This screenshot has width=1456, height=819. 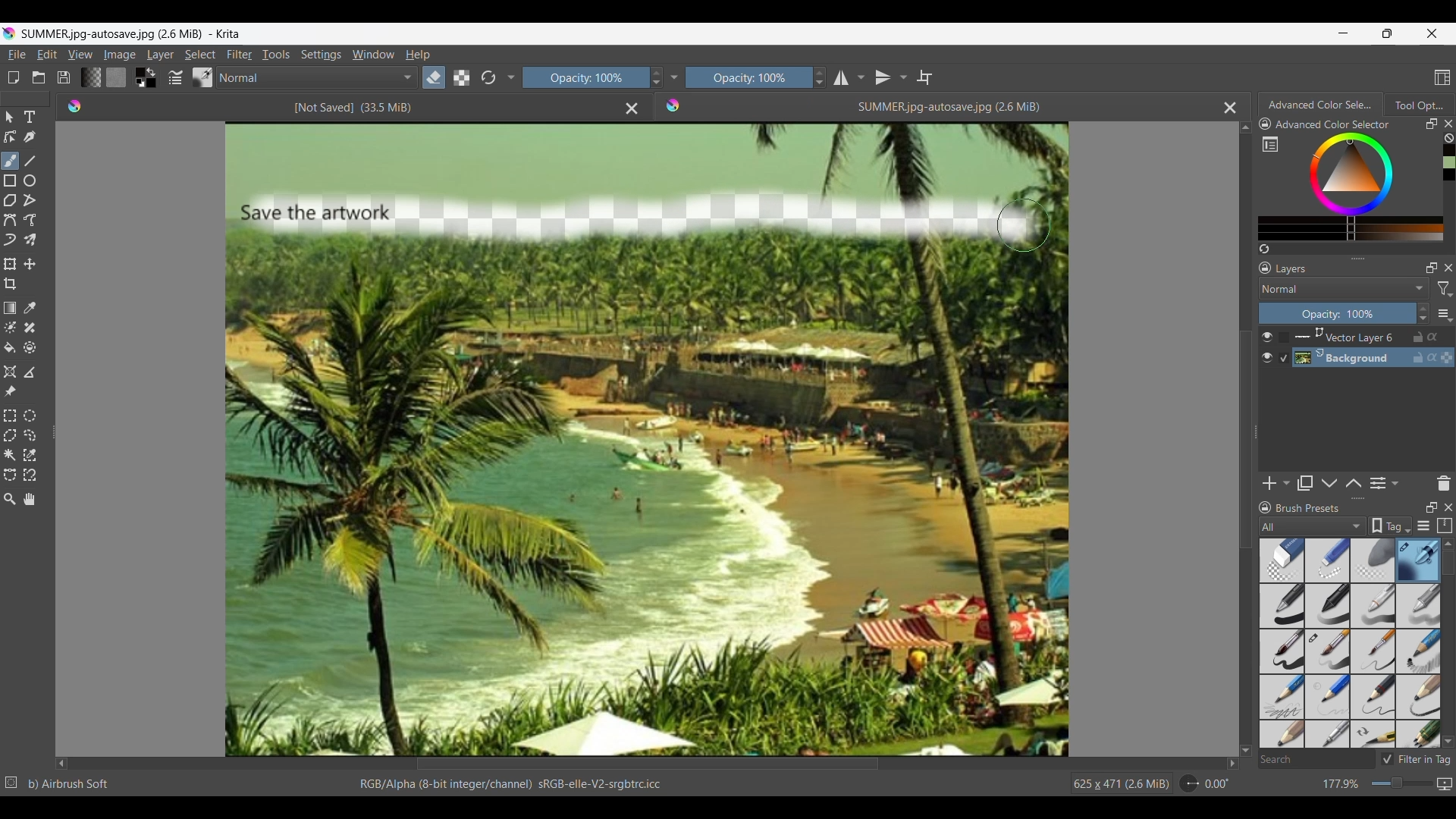 What do you see at coordinates (1270, 143) in the screenshot?
I see `Show complete color settings in separate window` at bounding box center [1270, 143].